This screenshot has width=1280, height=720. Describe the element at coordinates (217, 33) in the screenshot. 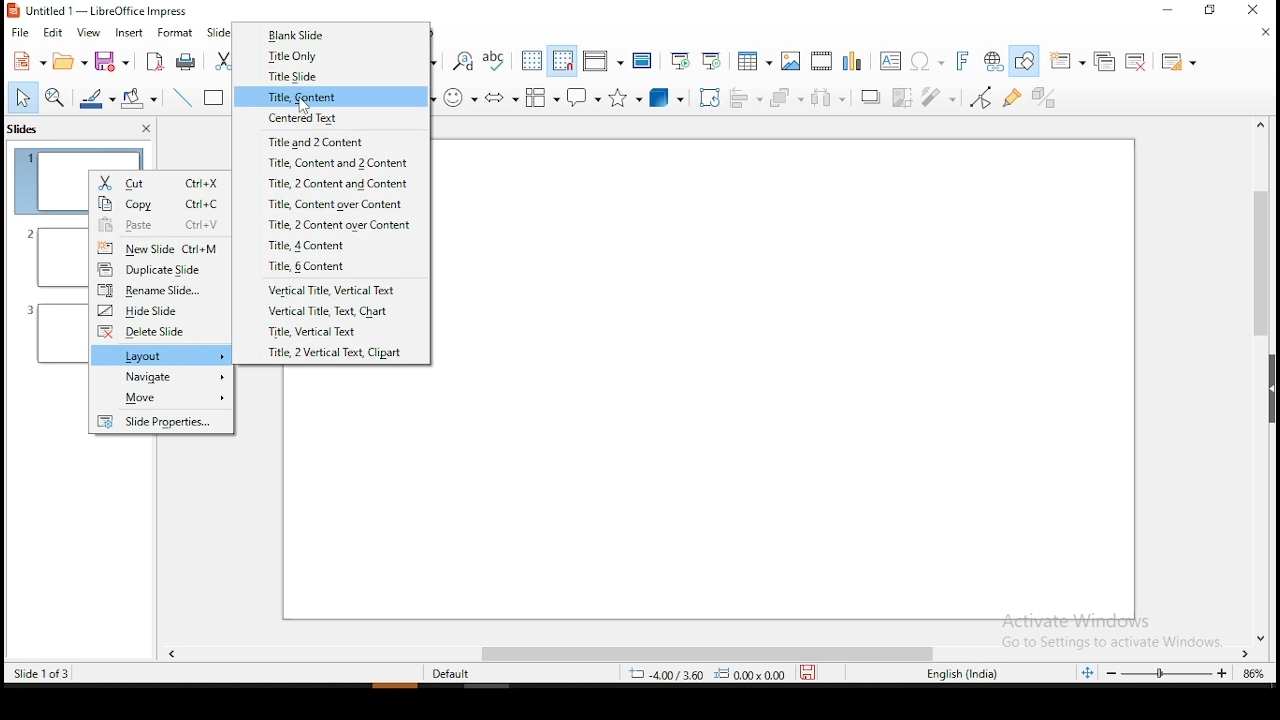

I see `slide` at that location.